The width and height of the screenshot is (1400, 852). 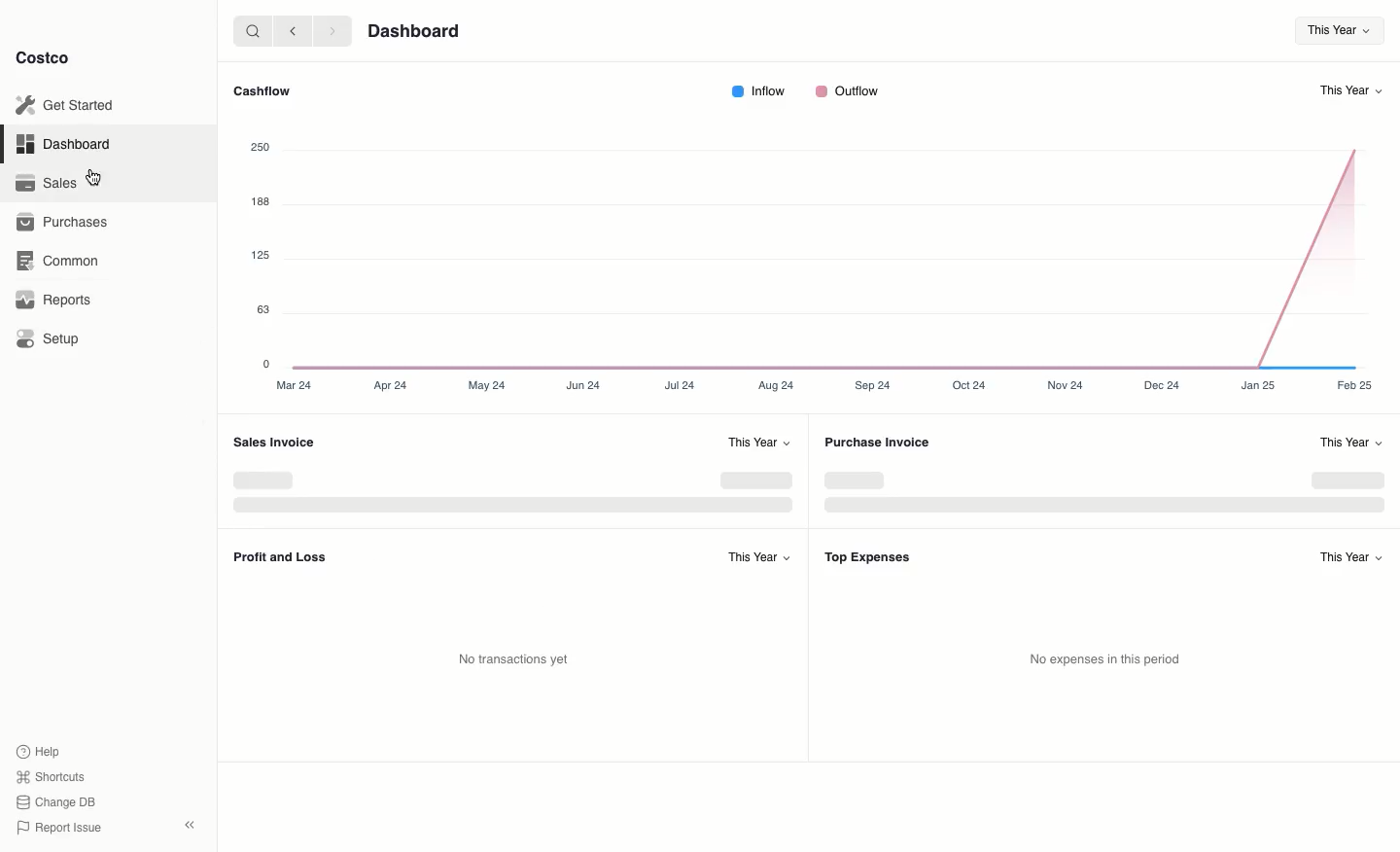 I want to click on Sales Invoice, so click(x=272, y=442).